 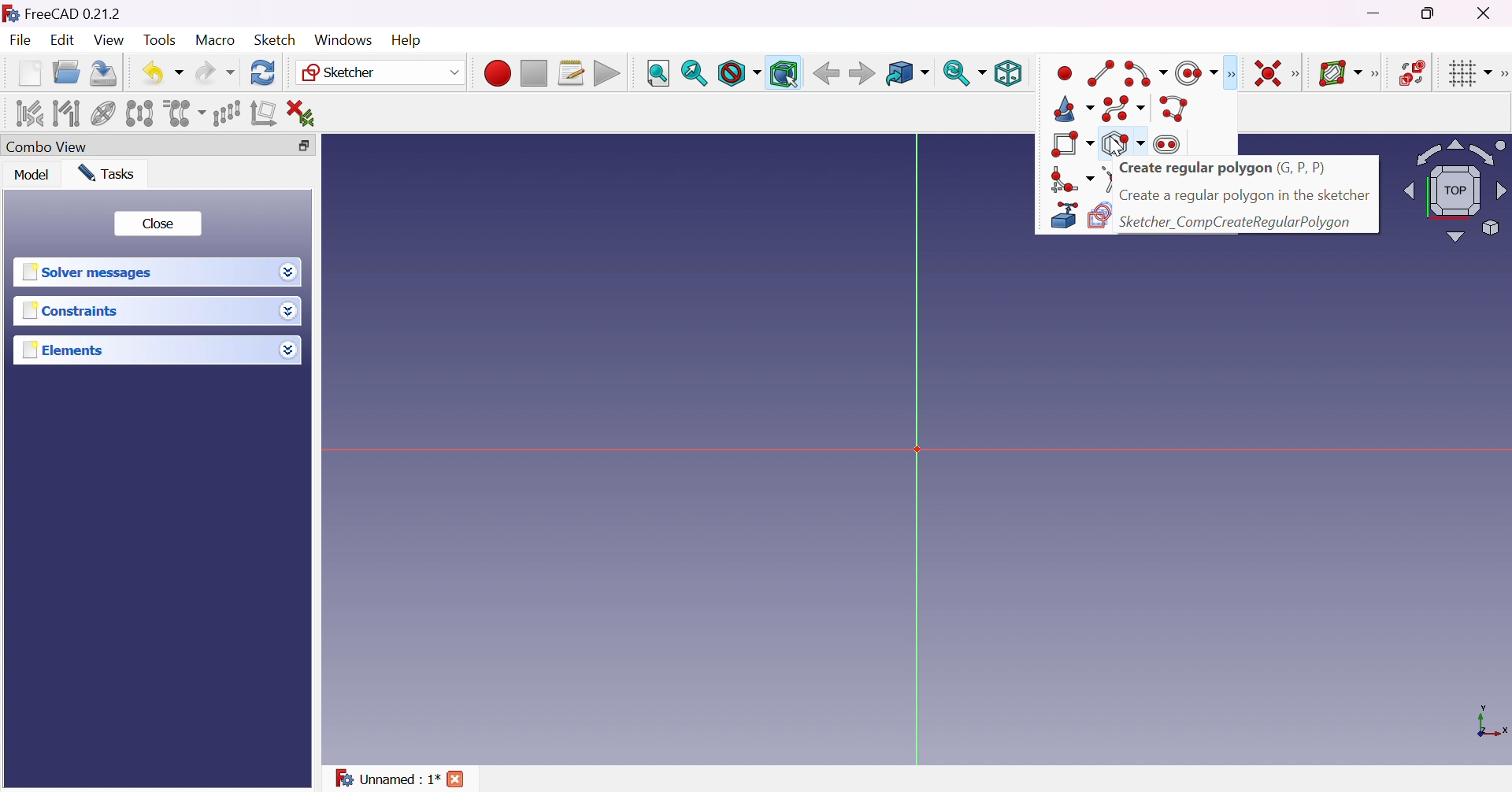 I want to click on Fit all, so click(x=659, y=74).